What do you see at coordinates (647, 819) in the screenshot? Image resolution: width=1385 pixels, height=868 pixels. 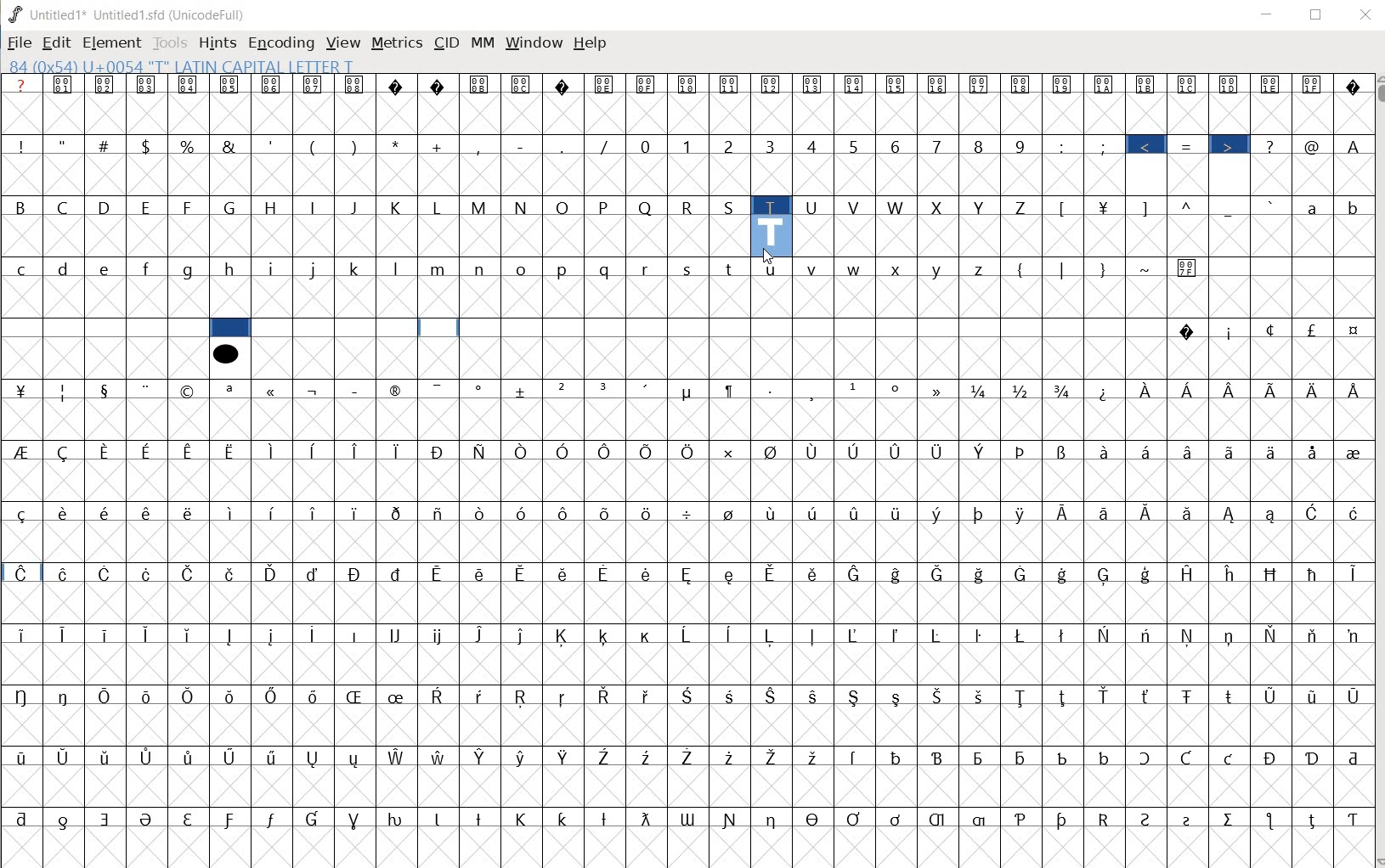 I see `Symbol` at bounding box center [647, 819].